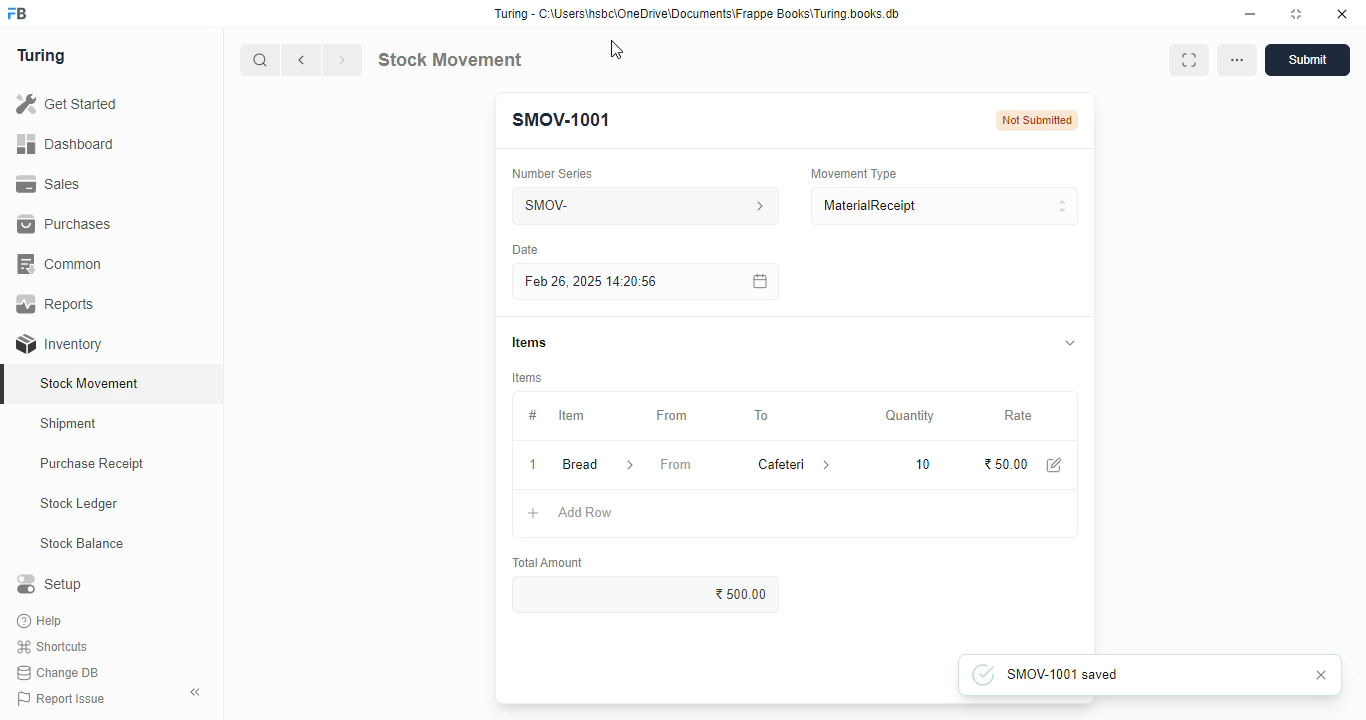  Describe the element at coordinates (533, 466) in the screenshot. I see `remove` at that location.